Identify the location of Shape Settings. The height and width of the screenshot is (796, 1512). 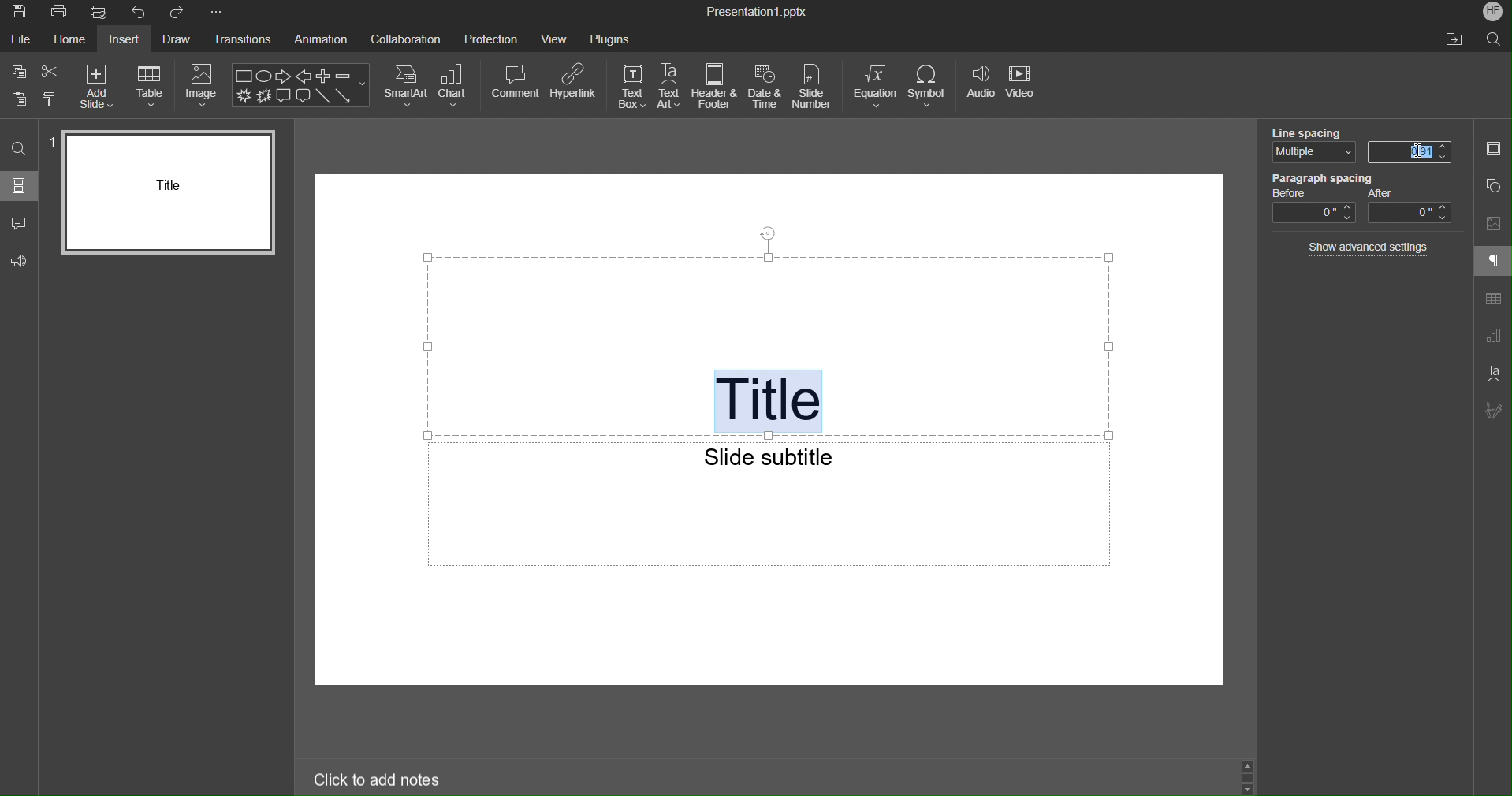
(1492, 184).